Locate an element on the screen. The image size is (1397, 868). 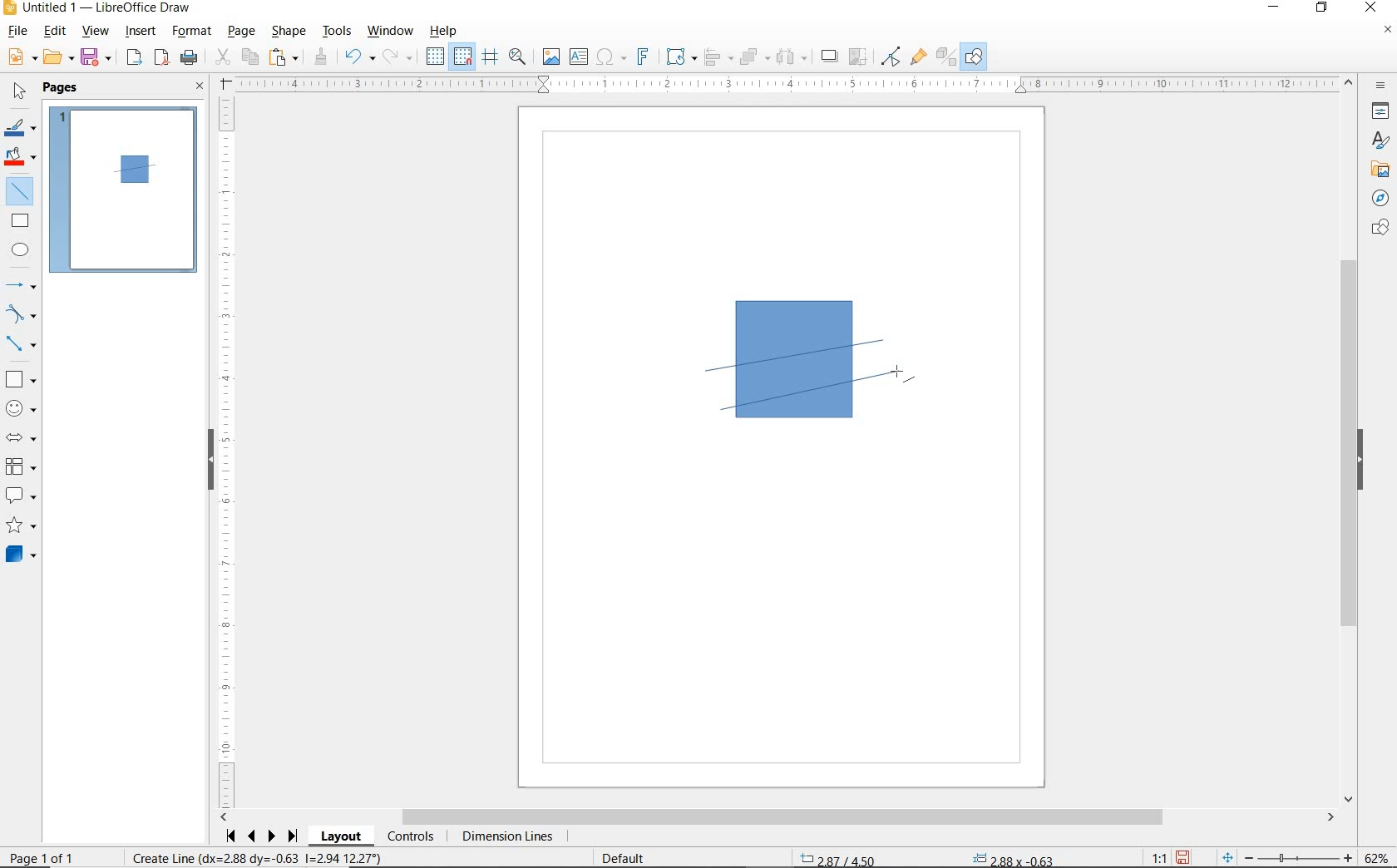
OPEN is located at coordinates (59, 57).